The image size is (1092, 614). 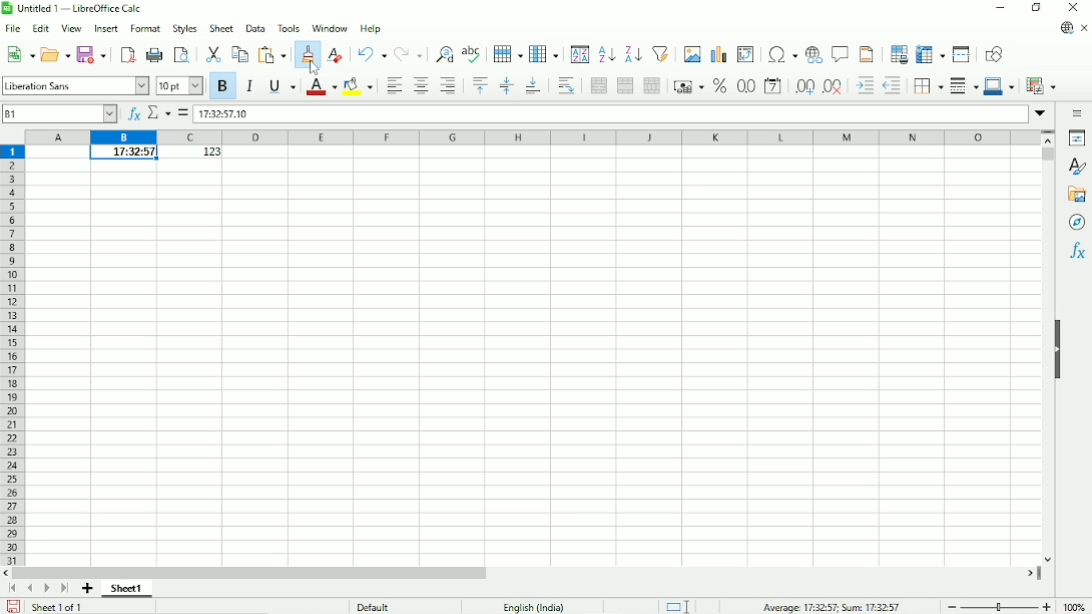 What do you see at coordinates (288, 27) in the screenshot?
I see `Tools` at bounding box center [288, 27].